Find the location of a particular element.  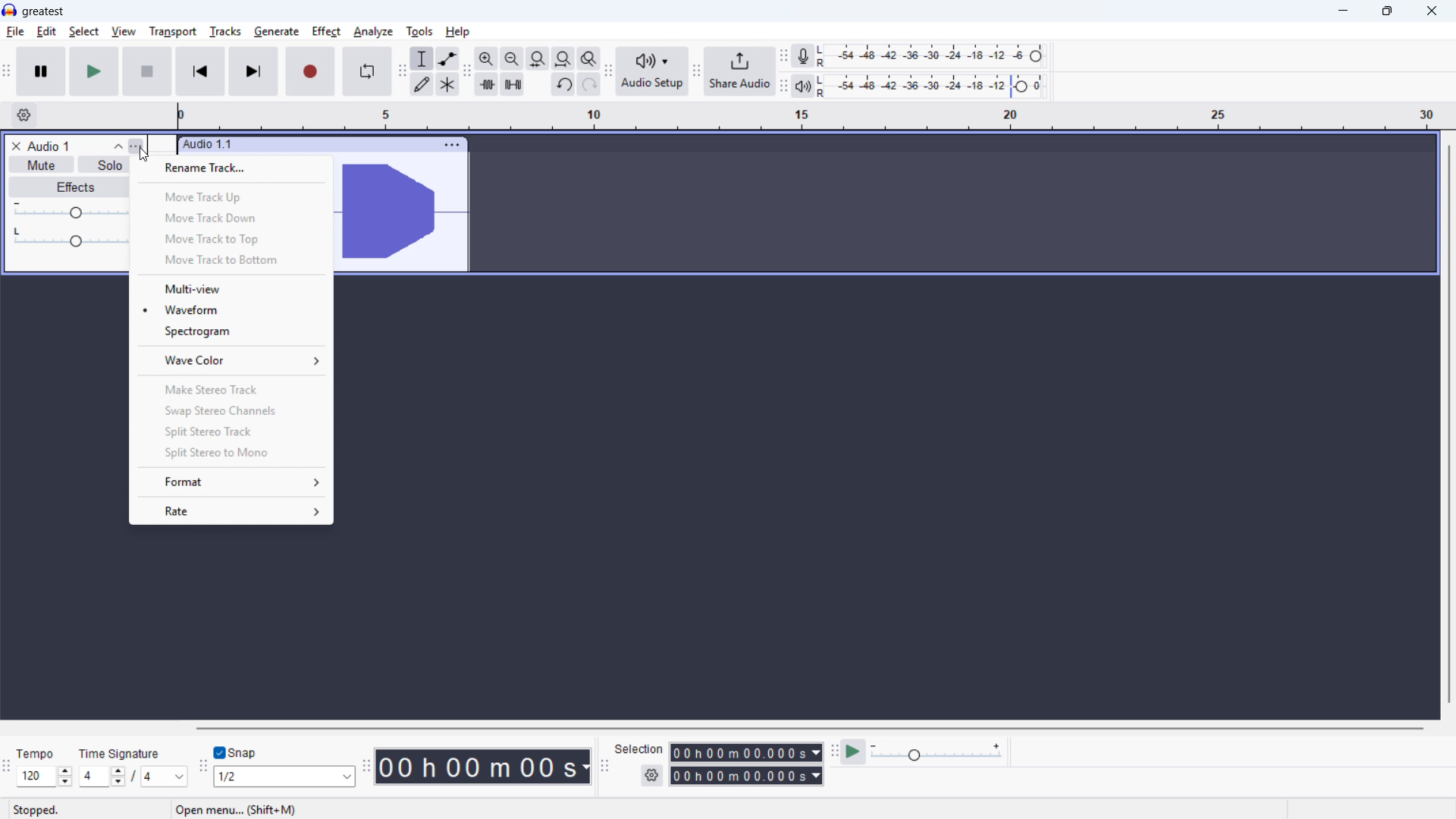

edit toolbar is located at coordinates (467, 73).